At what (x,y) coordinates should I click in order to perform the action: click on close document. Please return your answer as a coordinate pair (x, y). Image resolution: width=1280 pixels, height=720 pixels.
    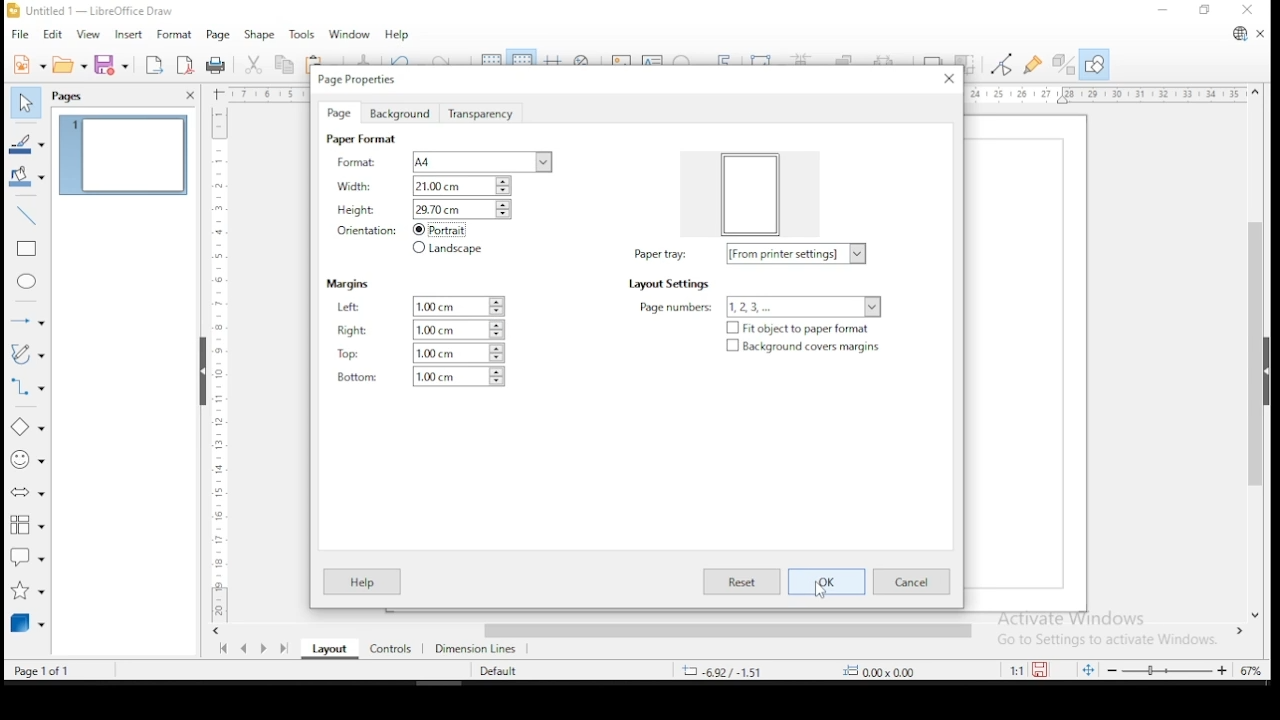
    Looking at the image, I should click on (1260, 34).